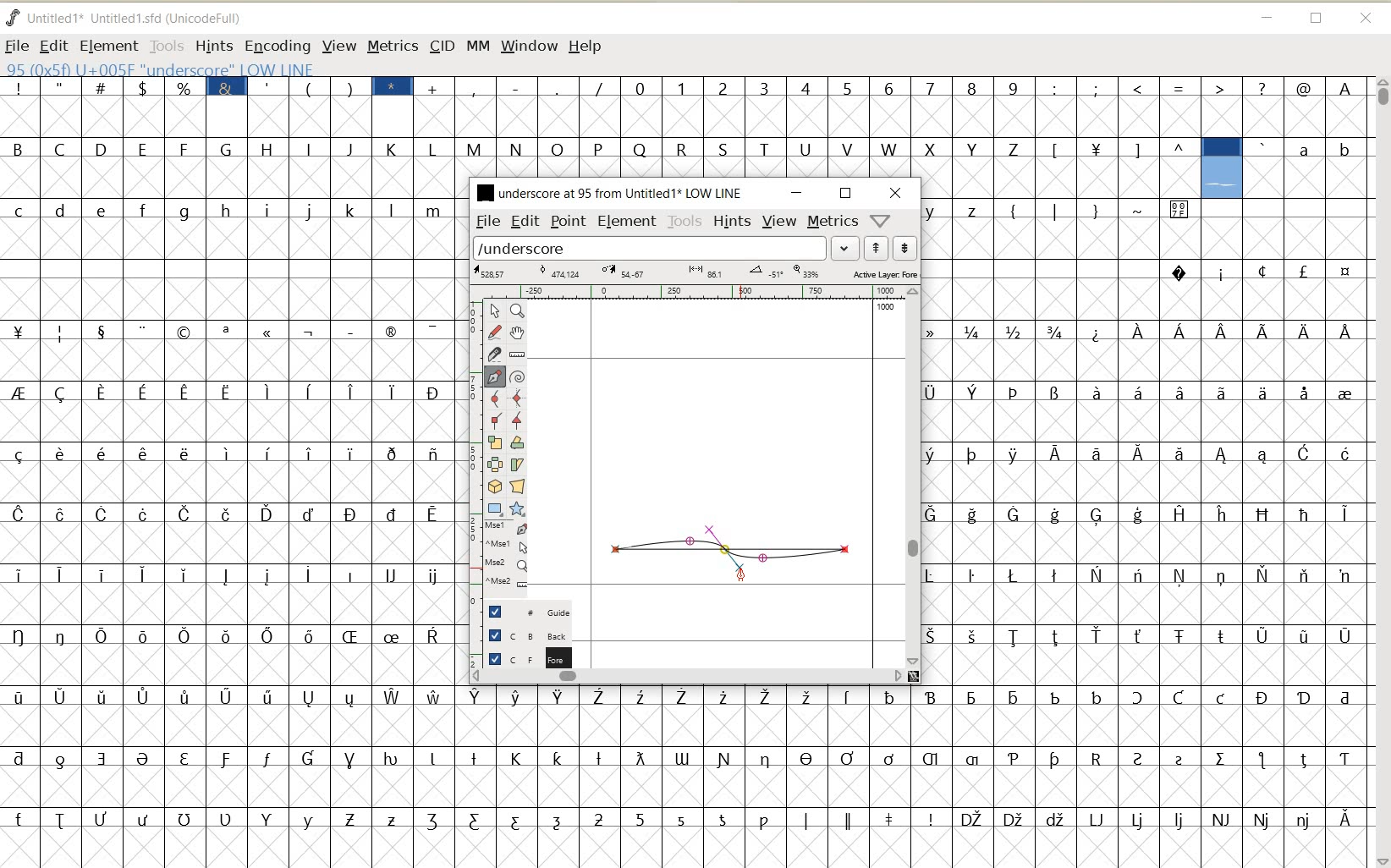 This screenshot has height=868, width=1391. I want to click on rectangle or ellipse, so click(496, 508).